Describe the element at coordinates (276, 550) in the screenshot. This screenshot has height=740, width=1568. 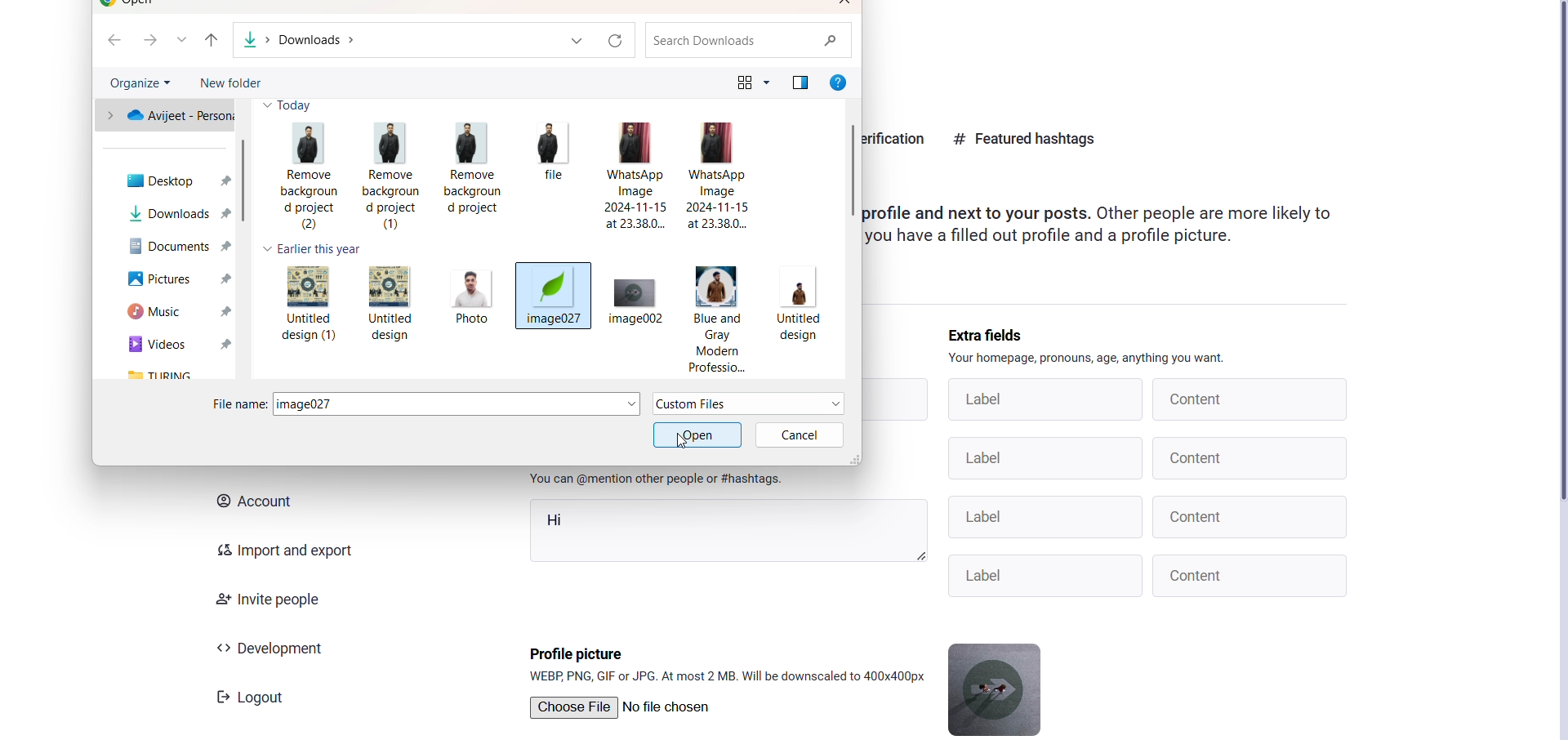
I see `import and export` at that location.